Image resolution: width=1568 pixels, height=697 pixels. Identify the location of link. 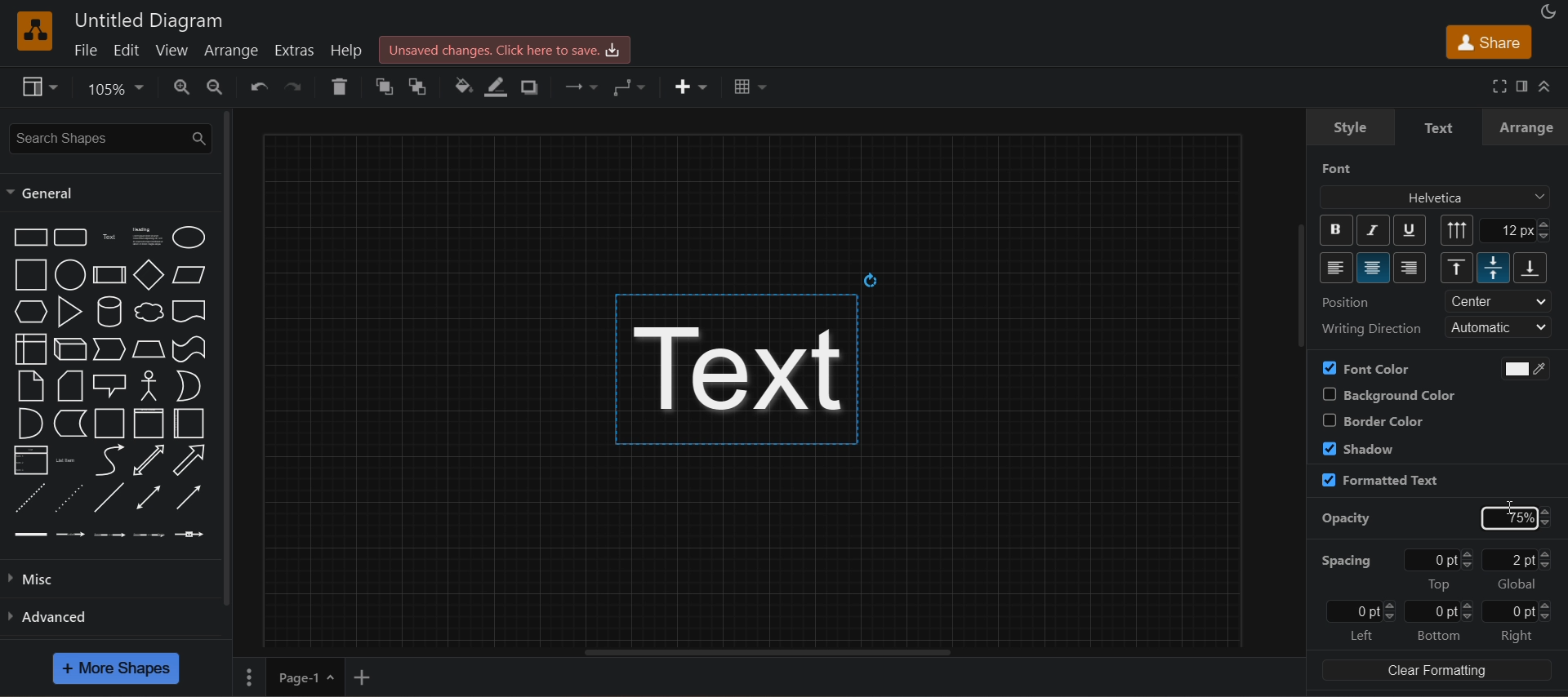
(29, 535).